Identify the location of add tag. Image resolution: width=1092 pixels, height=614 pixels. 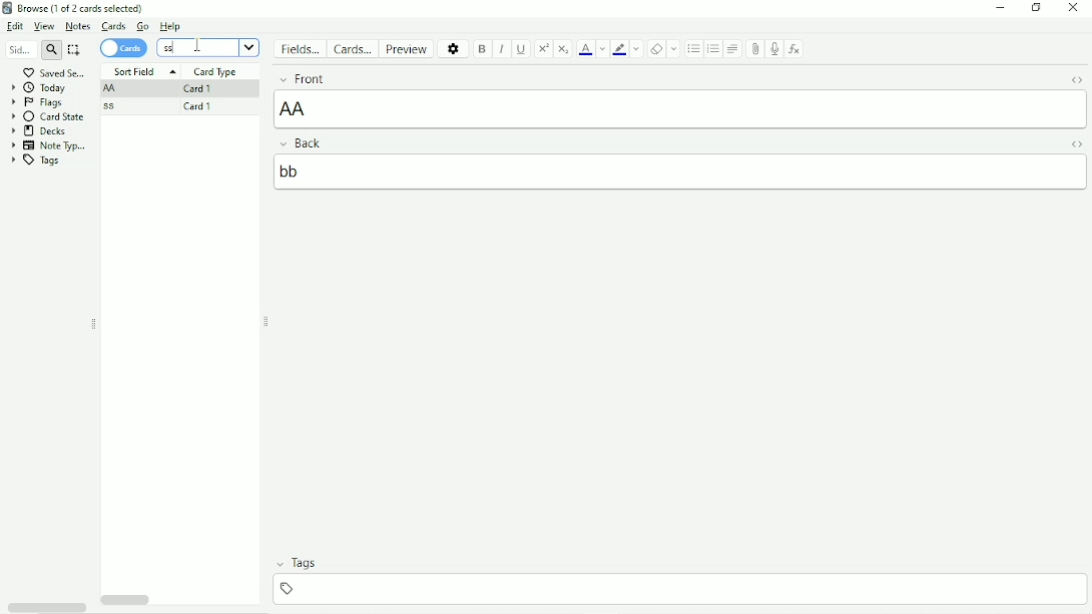
(684, 587).